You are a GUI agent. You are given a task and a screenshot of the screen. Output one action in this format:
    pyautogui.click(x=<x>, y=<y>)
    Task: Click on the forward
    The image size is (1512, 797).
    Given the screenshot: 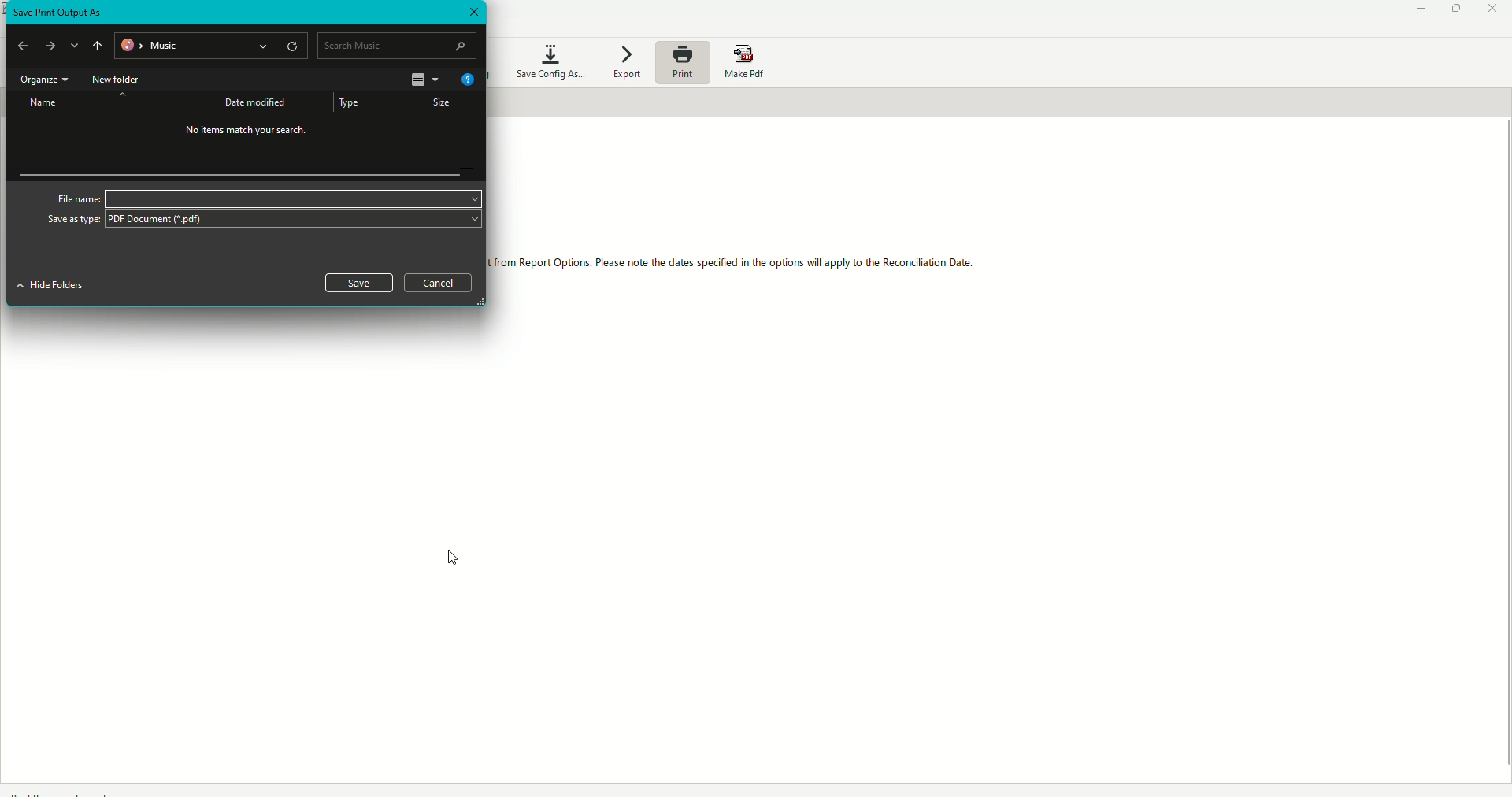 What is the action you would take?
    pyautogui.click(x=51, y=48)
    